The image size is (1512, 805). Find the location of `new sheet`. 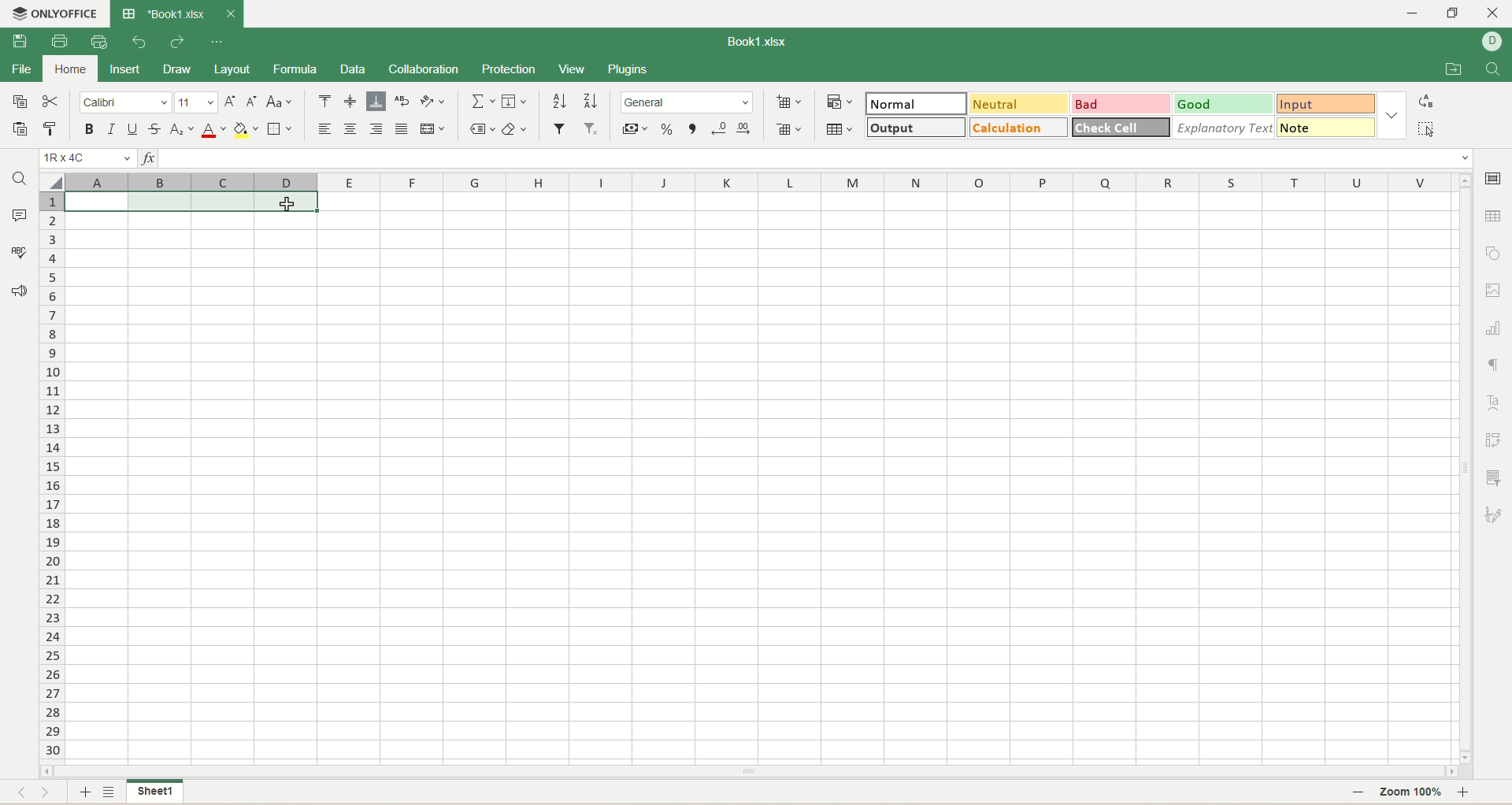

new sheet is located at coordinates (83, 793).